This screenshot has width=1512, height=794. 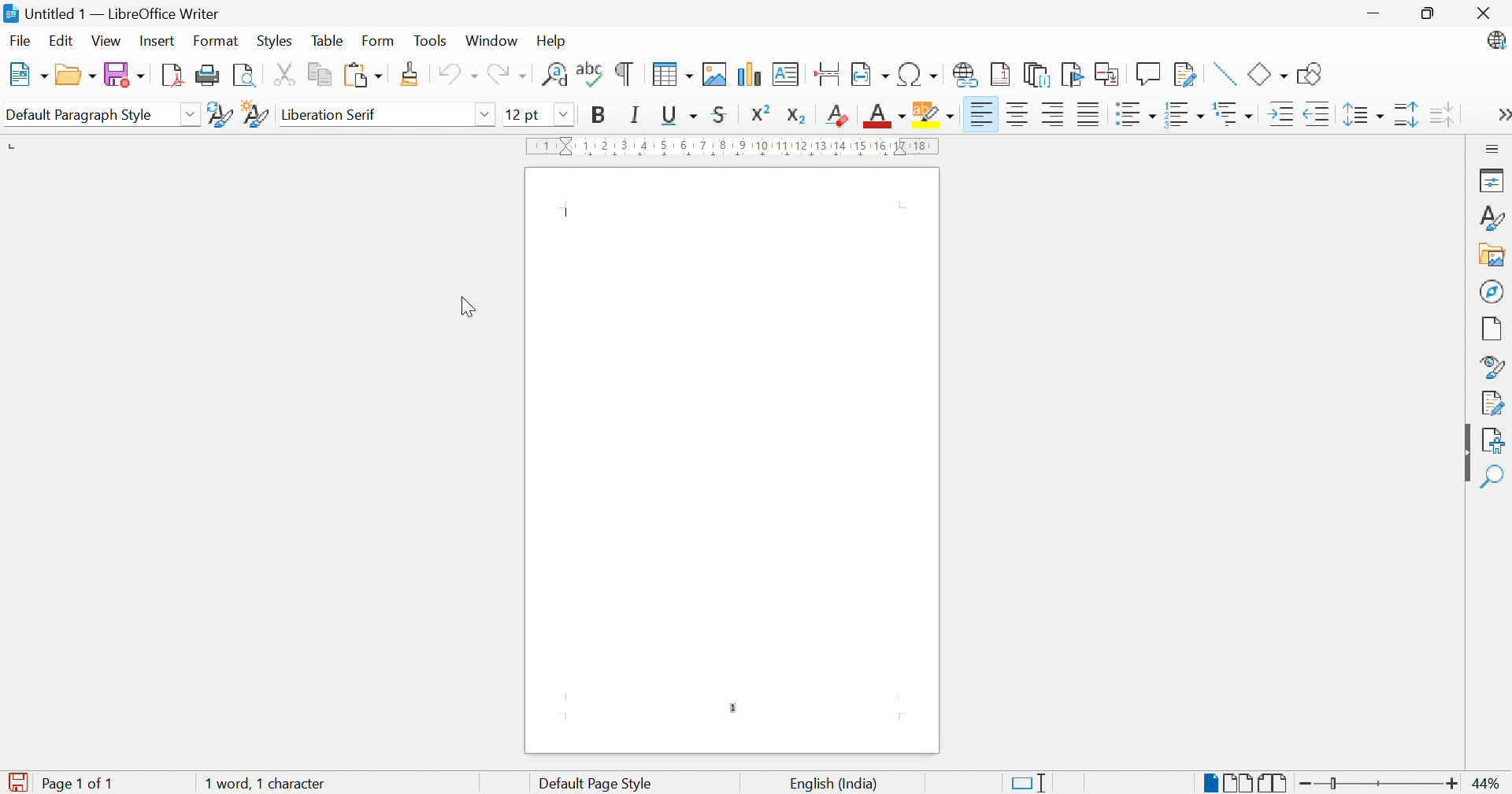 What do you see at coordinates (287, 74) in the screenshot?
I see `Cut` at bounding box center [287, 74].